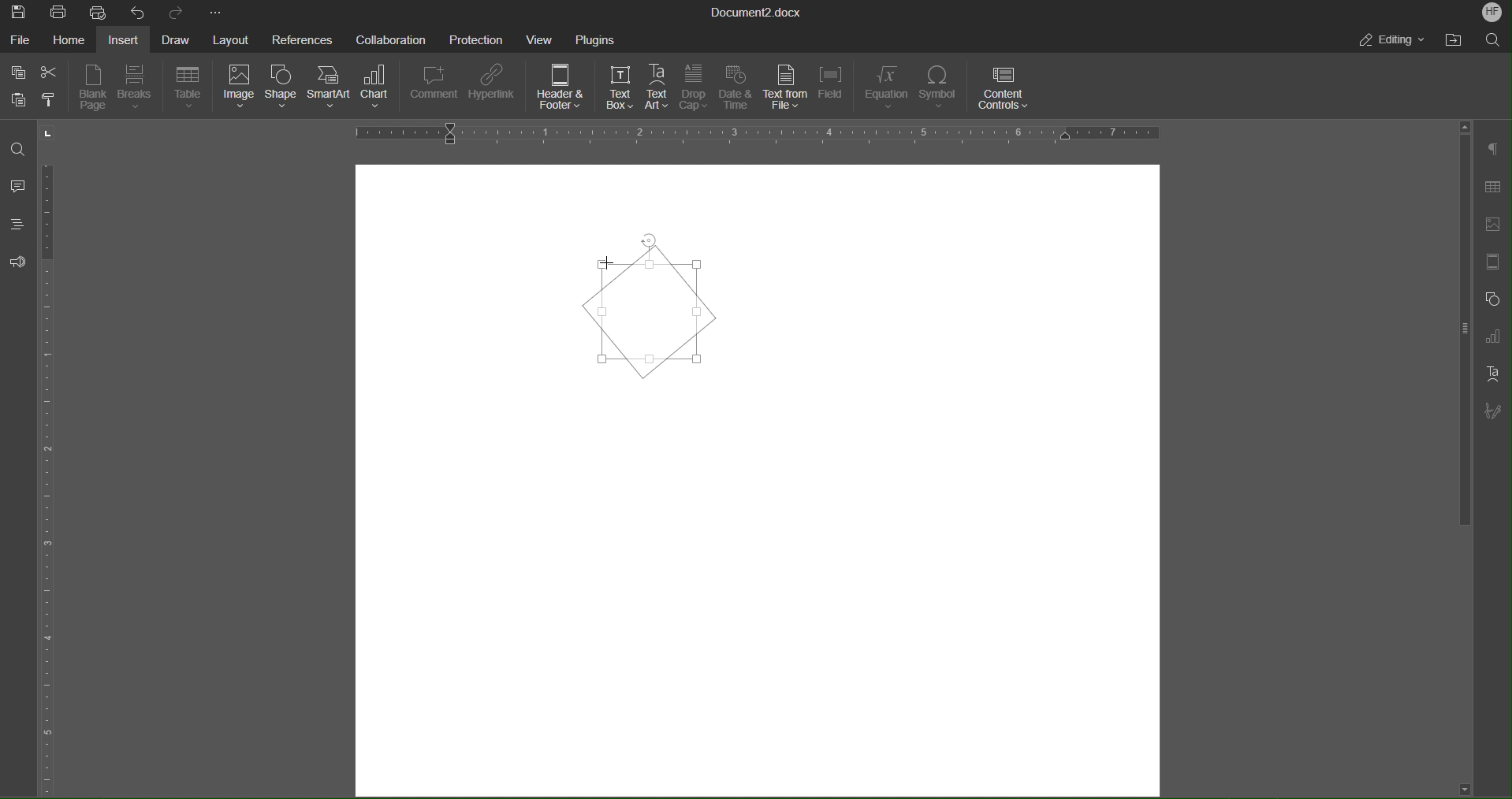 The image size is (1512, 799). Describe the element at coordinates (940, 88) in the screenshot. I see `Symbol` at that location.